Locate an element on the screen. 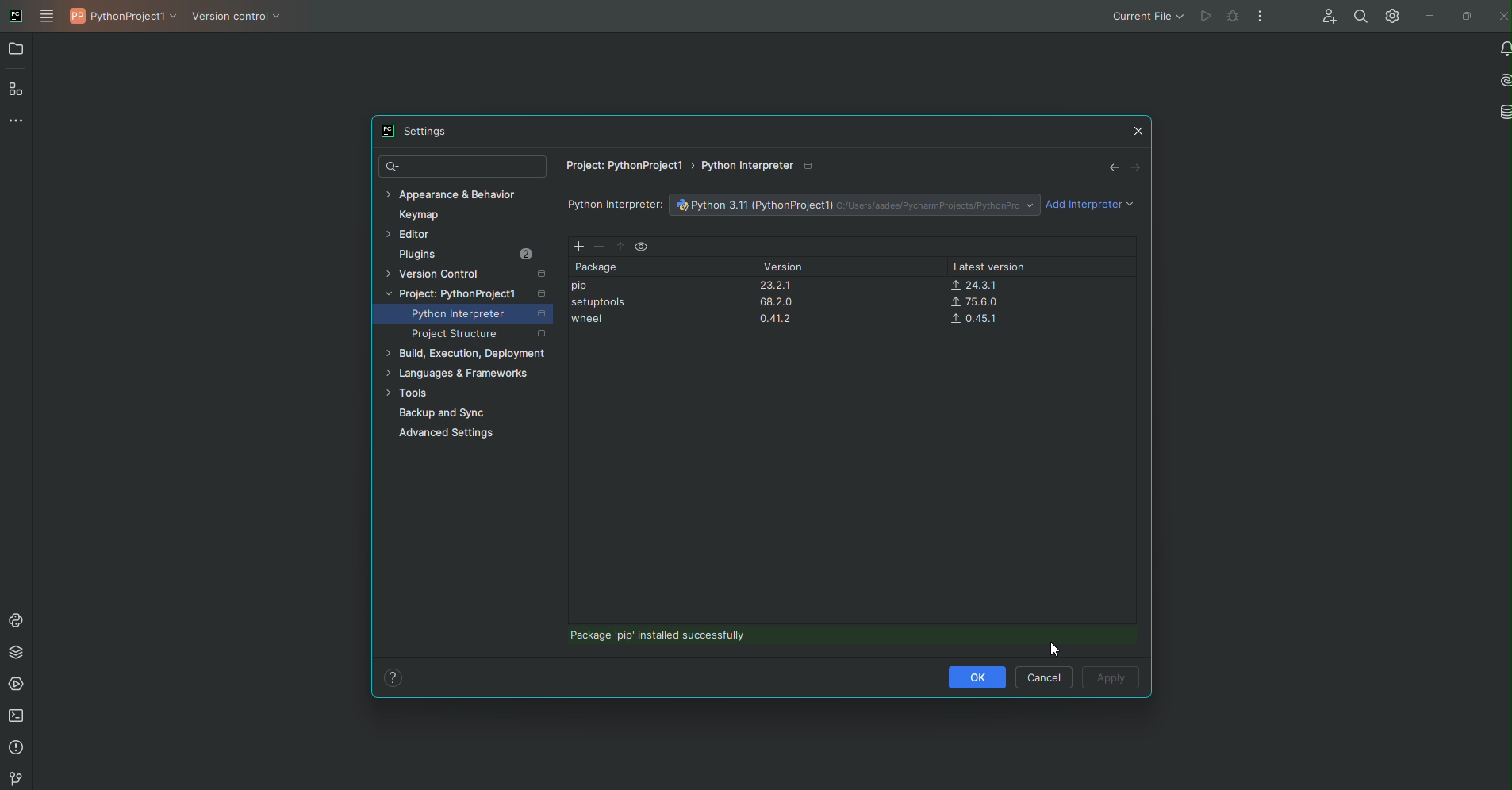 This screenshot has width=1512, height=790. OK is located at coordinates (975, 677).